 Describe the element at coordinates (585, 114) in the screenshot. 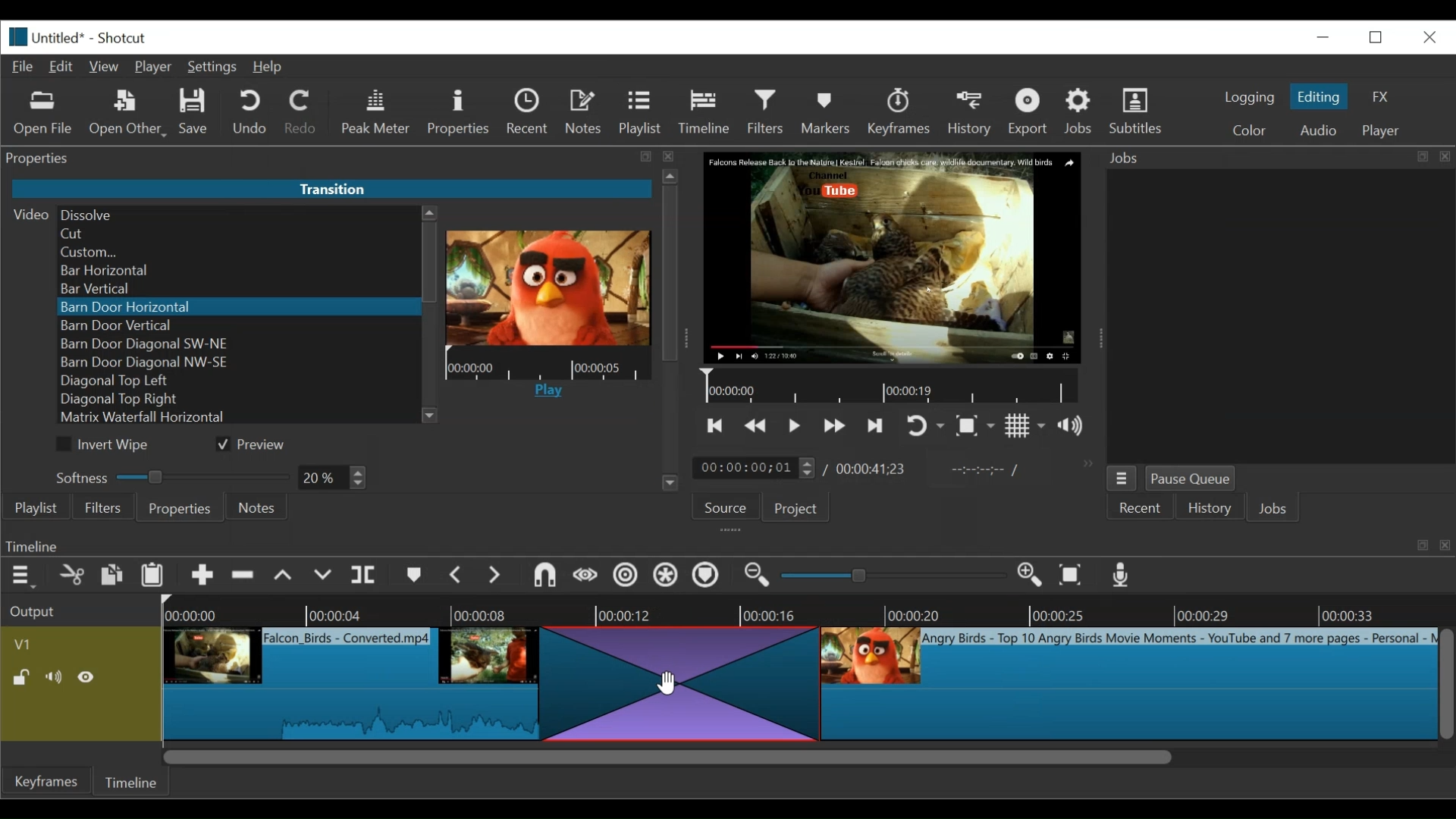

I see `Notes` at that location.